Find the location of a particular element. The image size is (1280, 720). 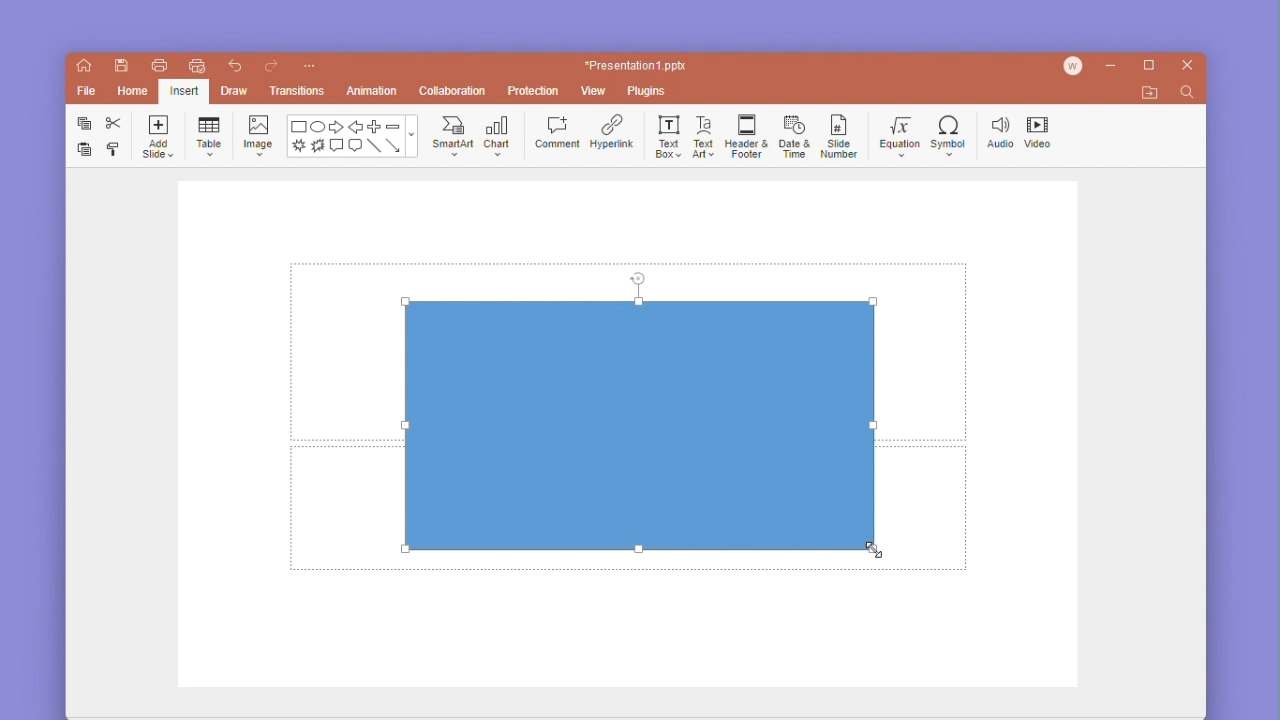

save is located at coordinates (119, 67).